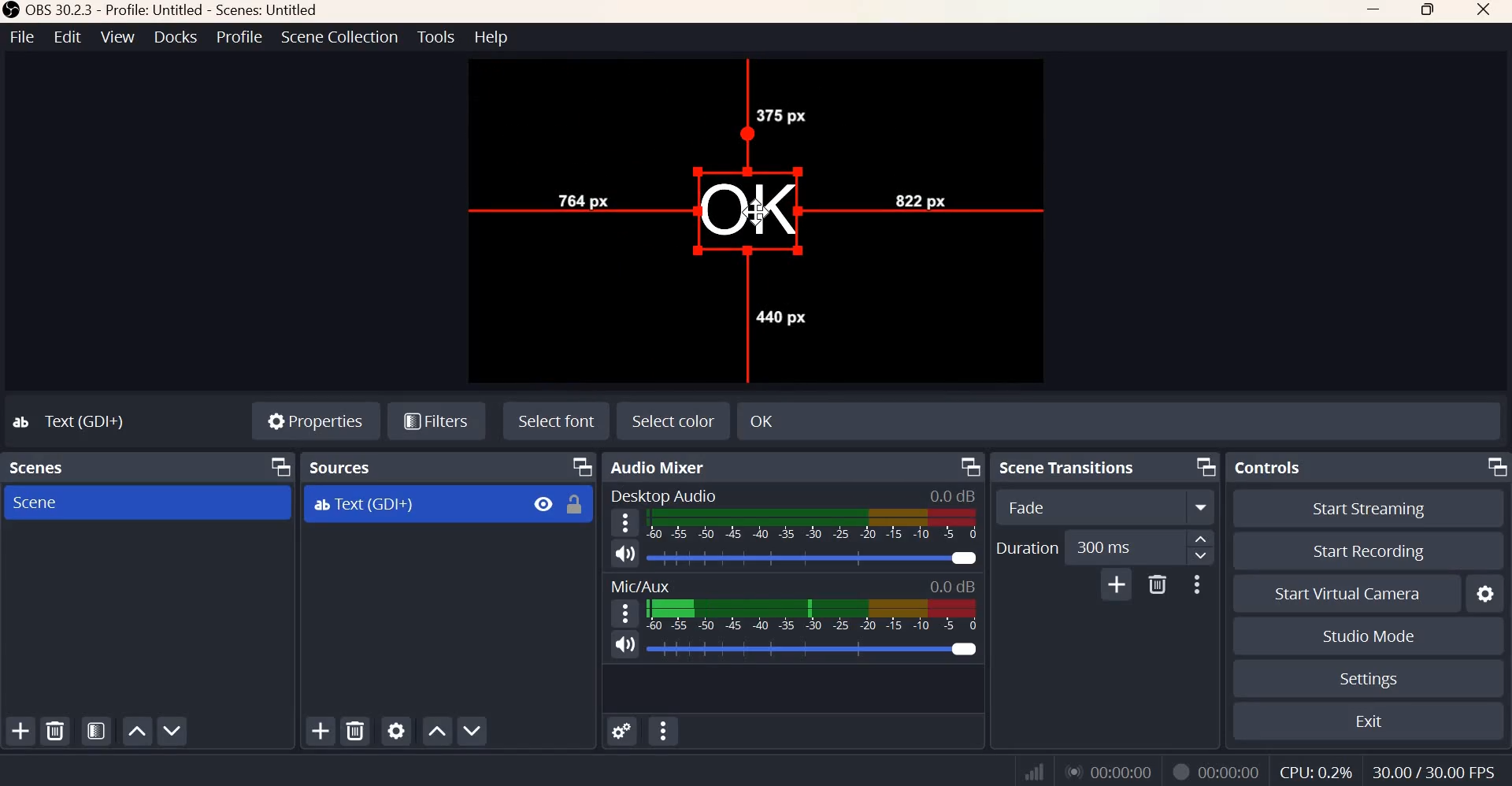  What do you see at coordinates (950, 586) in the screenshot?
I see `Audio Level Indicator` at bounding box center [950, 586].